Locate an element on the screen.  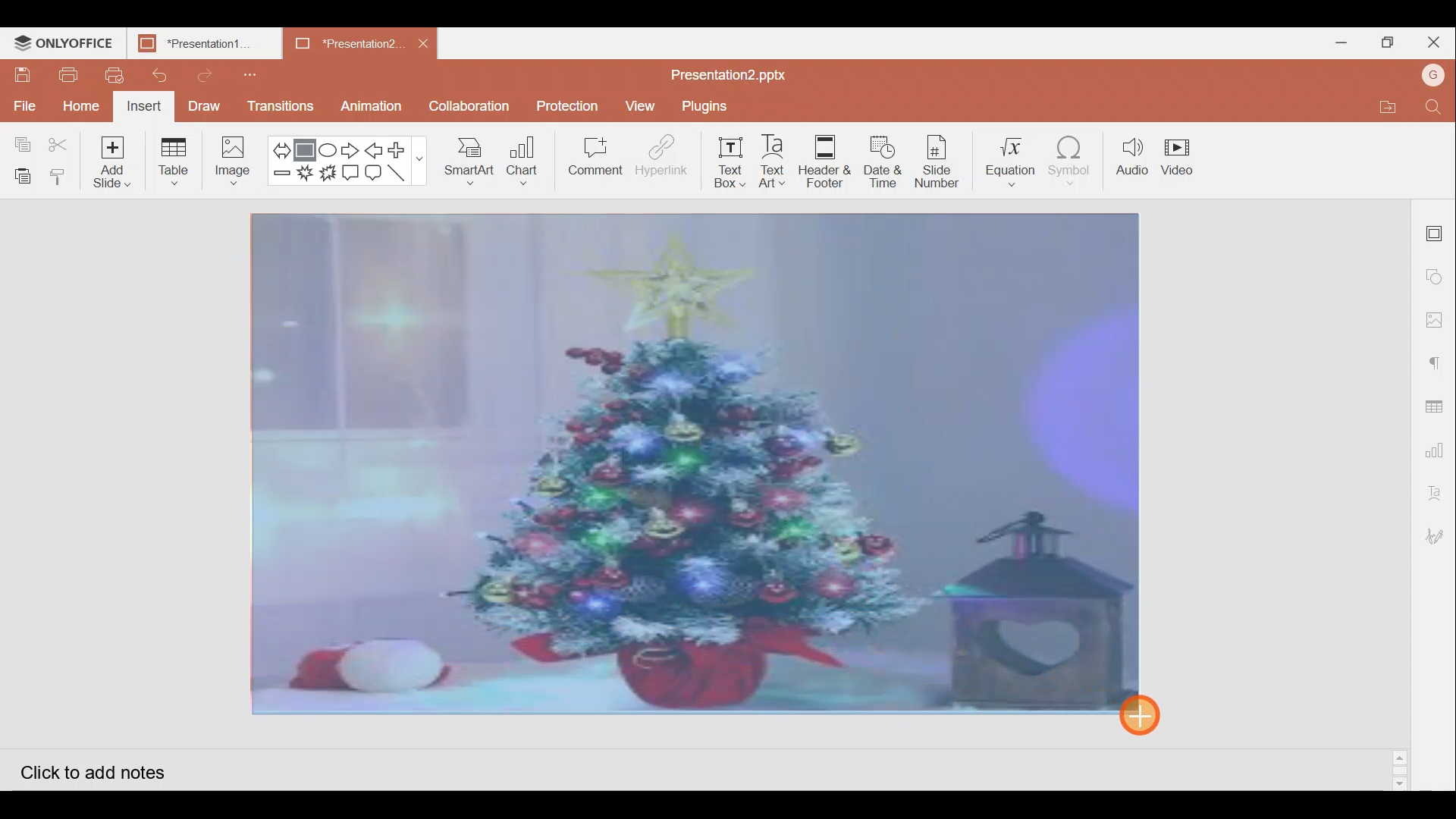
Plugins is located at coordinates (710, 106).